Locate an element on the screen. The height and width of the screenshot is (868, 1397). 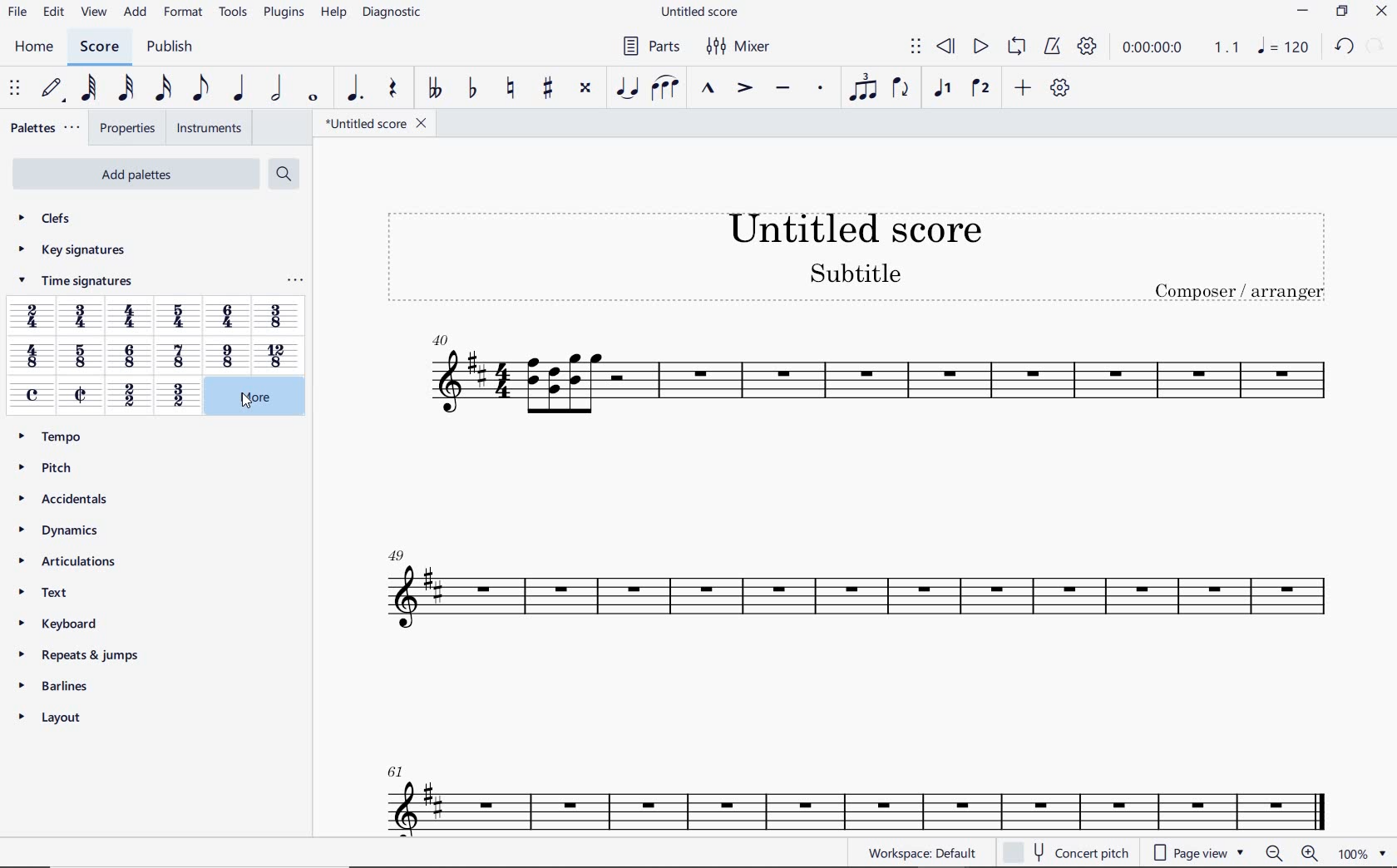
PLUGINS is located at coordinates (281, 14).